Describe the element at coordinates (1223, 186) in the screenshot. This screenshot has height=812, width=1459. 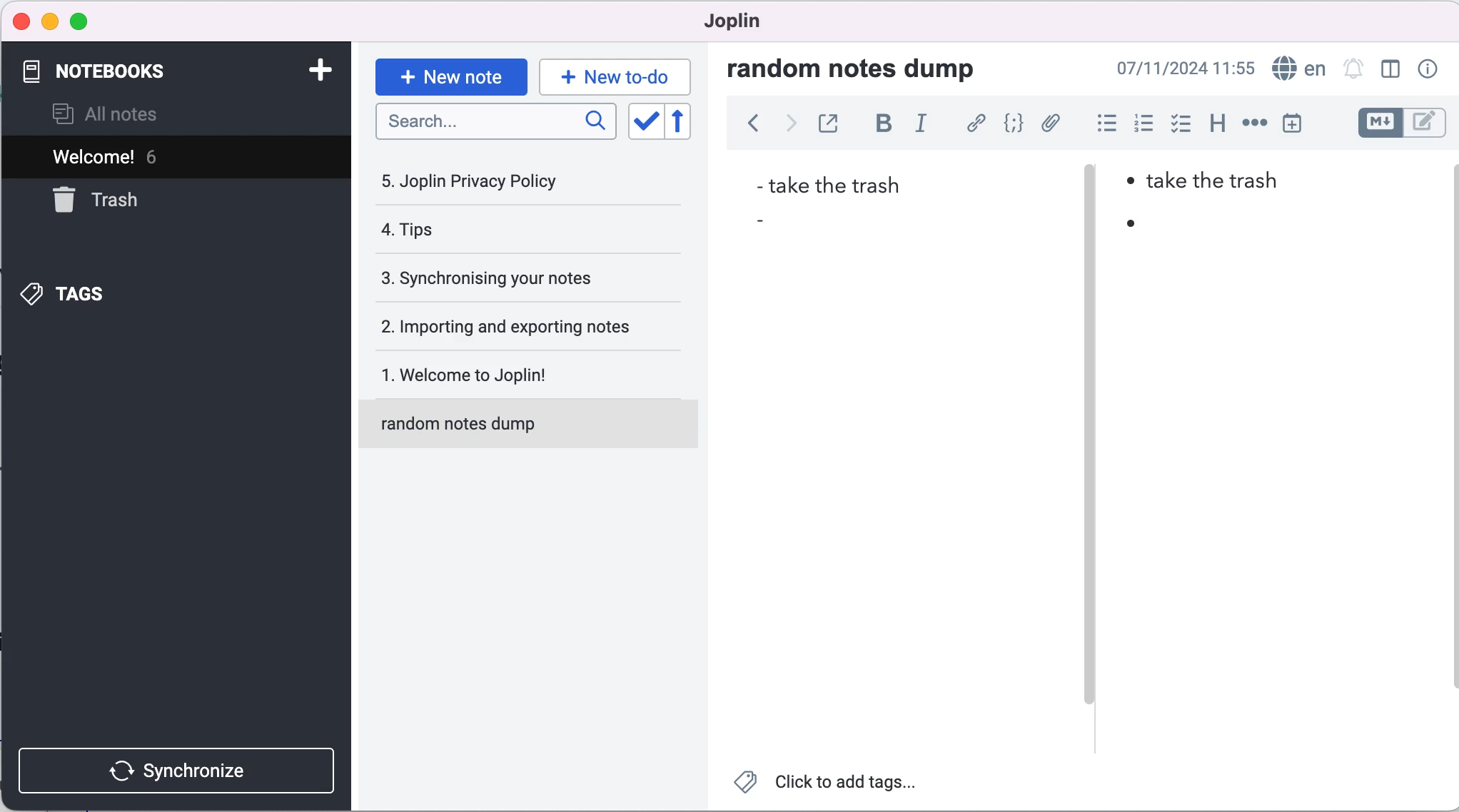
I see `take the trash` at that location.